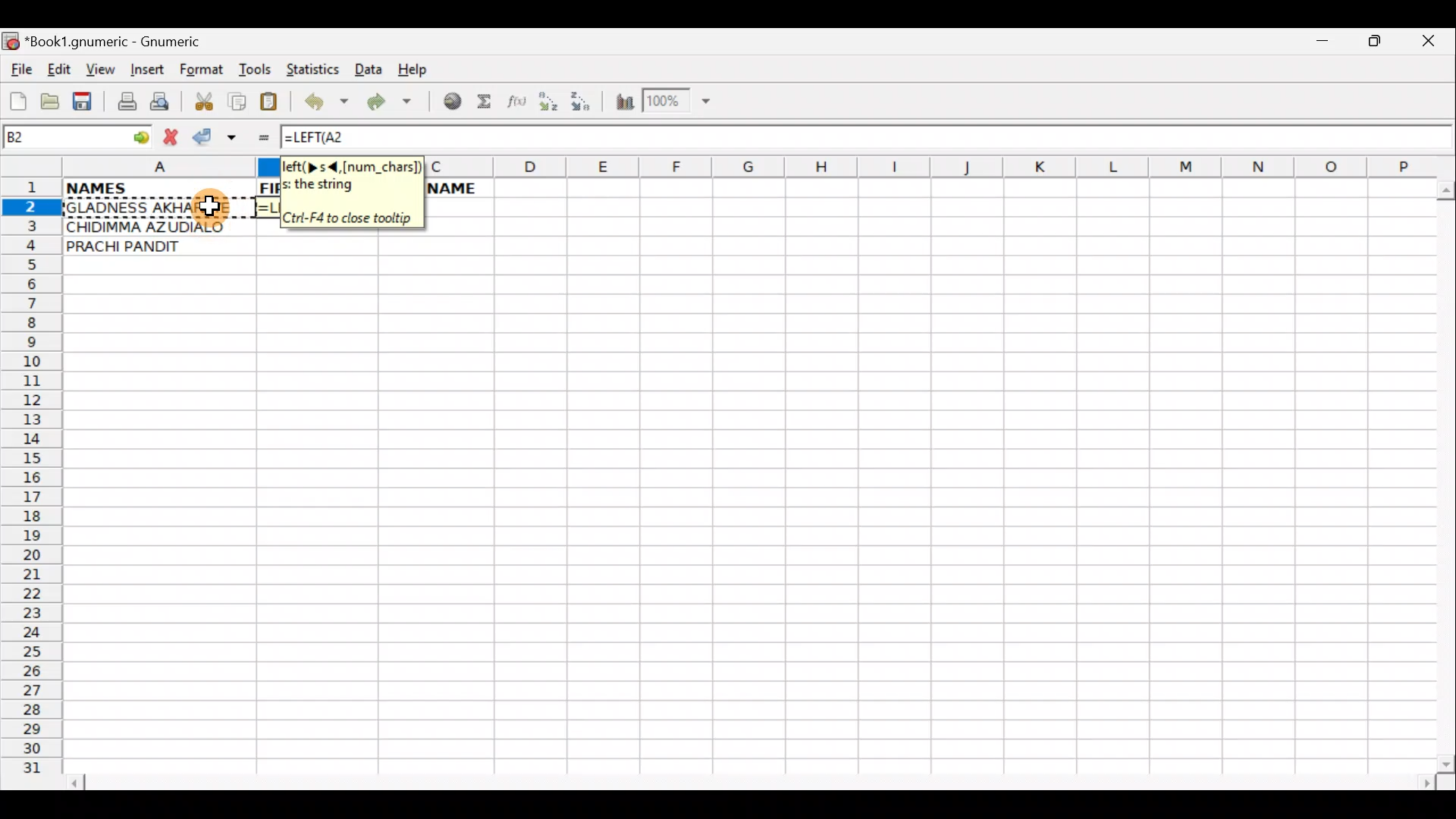 The height and width of the screenshot is (819, 1456). I want to click on Create new workbook, so click(17, 99).